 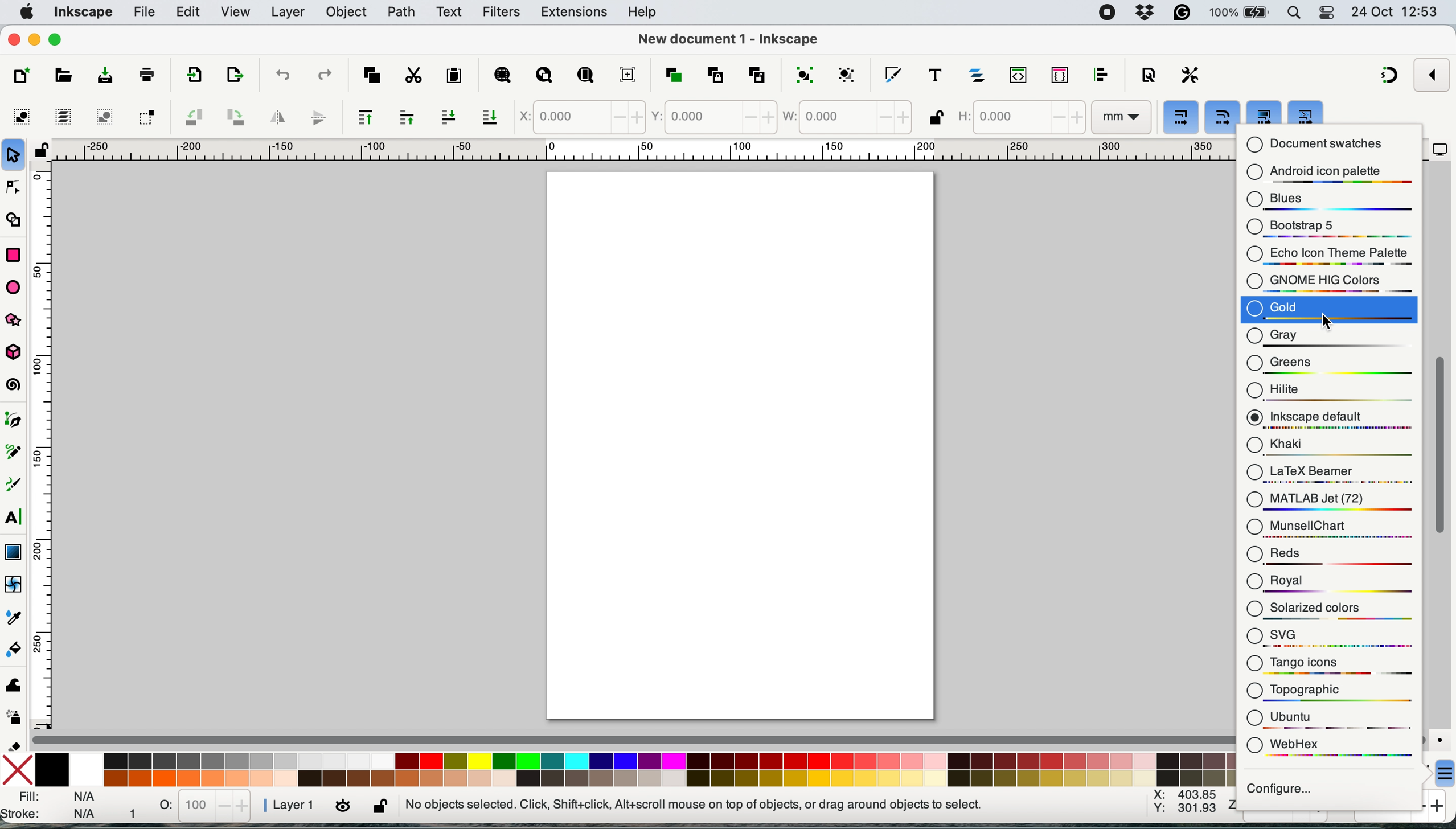 I want to click on topographic, so click(x=1323, y=691).